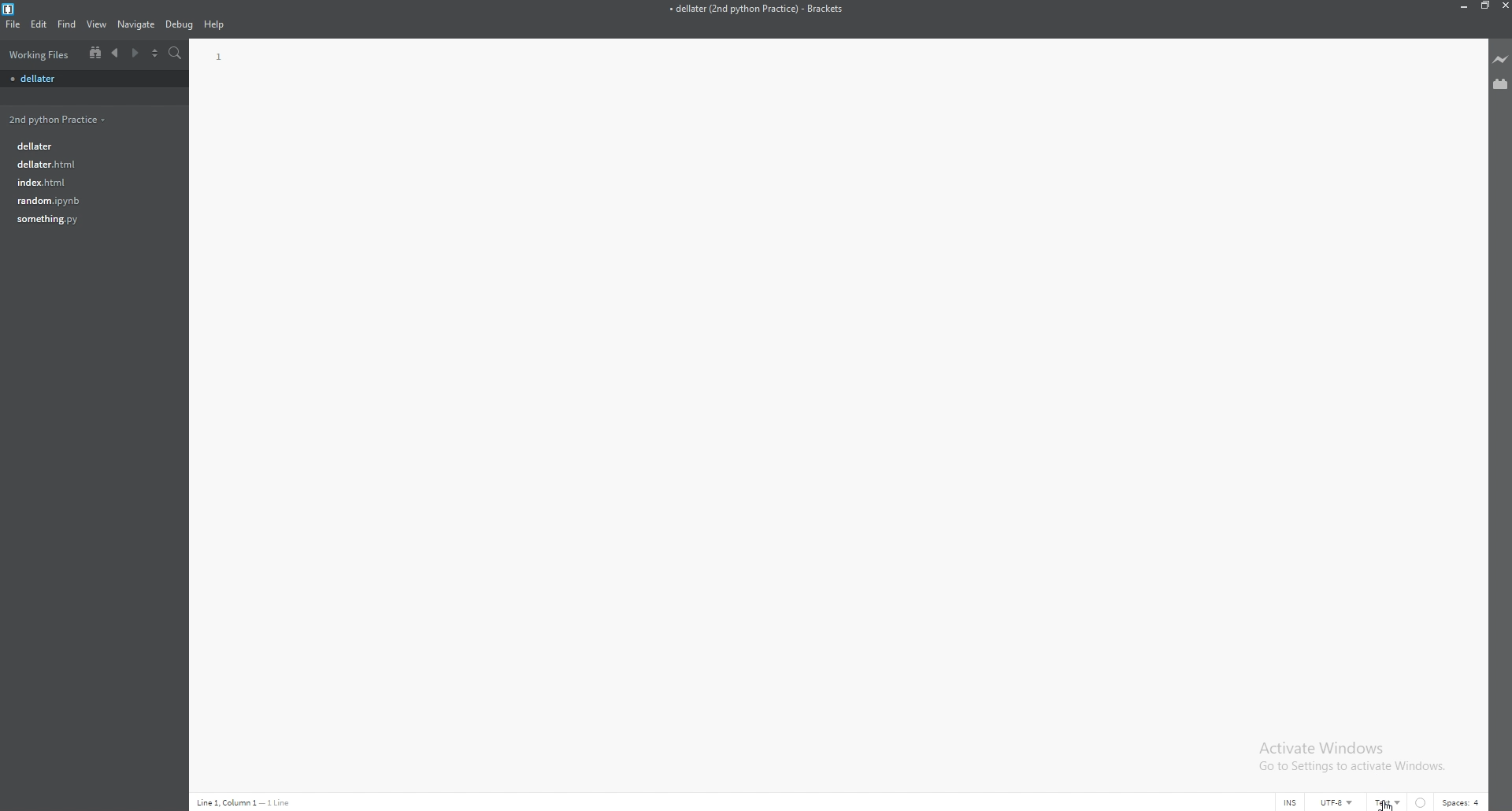 This screenshot has height=811, width=1512. What do you see at coordinates (89, 200) in the screenshot?
I see `file` at bounding box center [89, 200].